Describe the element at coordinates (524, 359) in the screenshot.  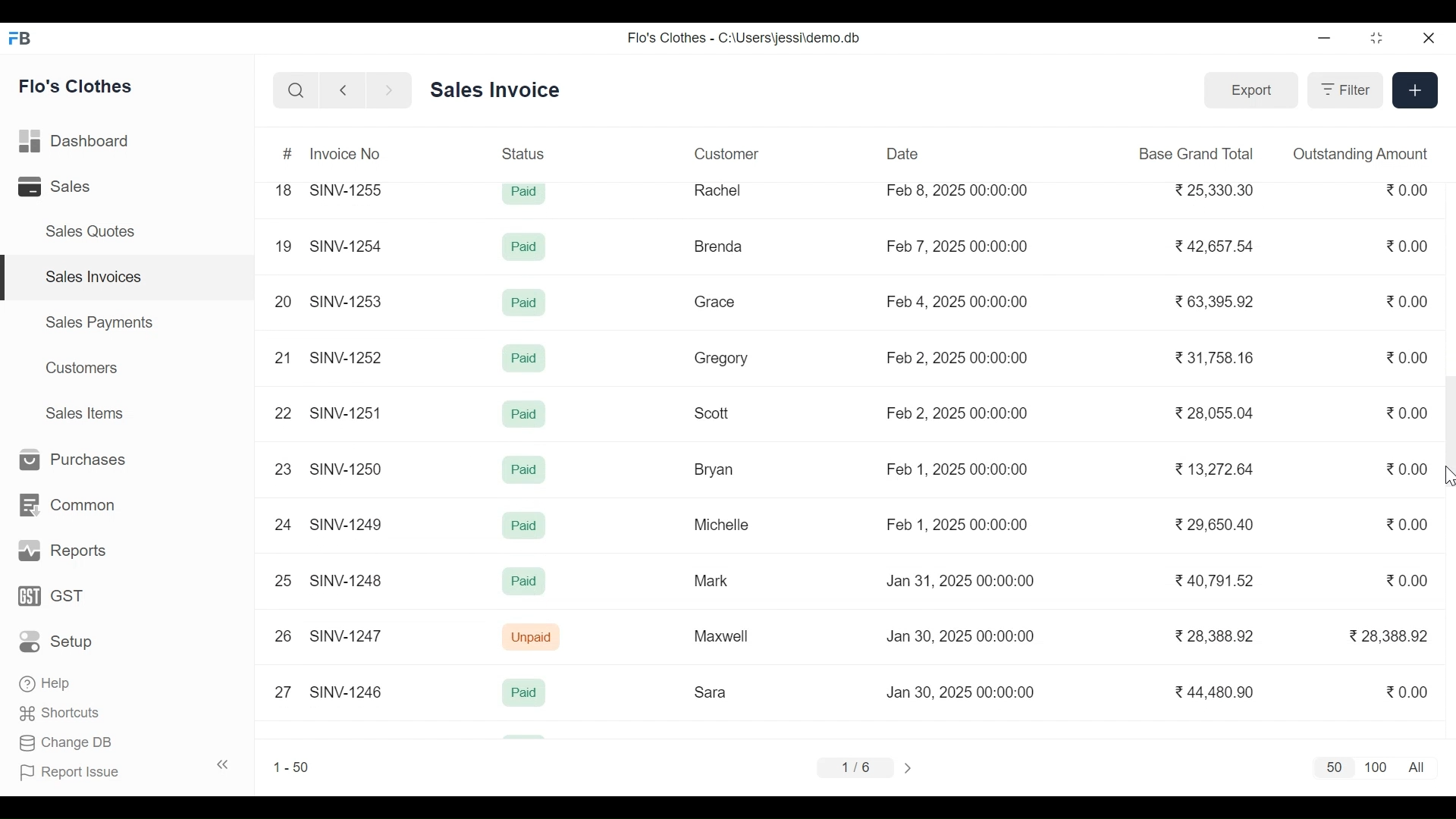
I see `Paid` at that location.